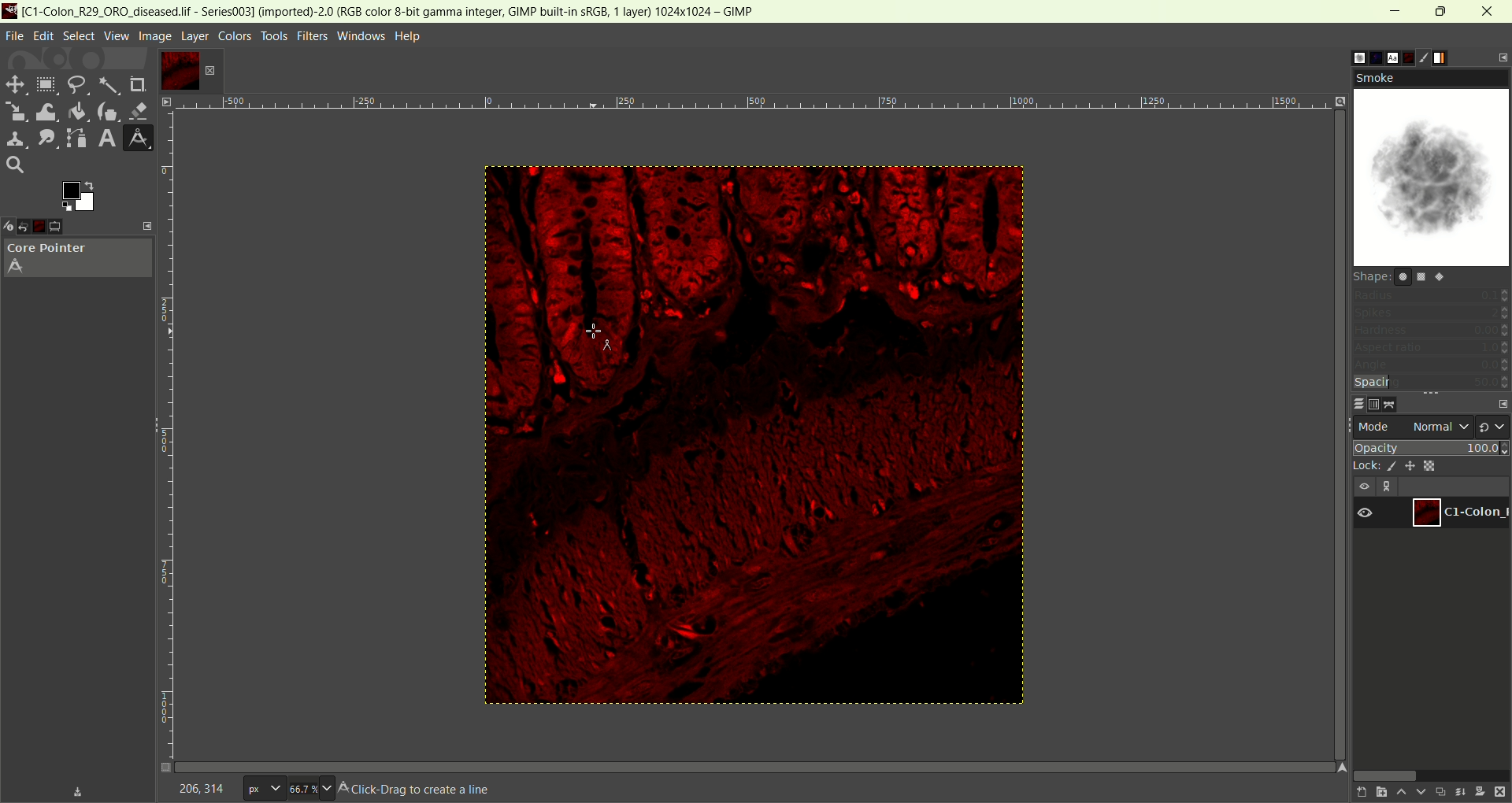  Describe the element at coordinates (1429, 465) in the screenshot. I see `lock alpha channel` at that location.